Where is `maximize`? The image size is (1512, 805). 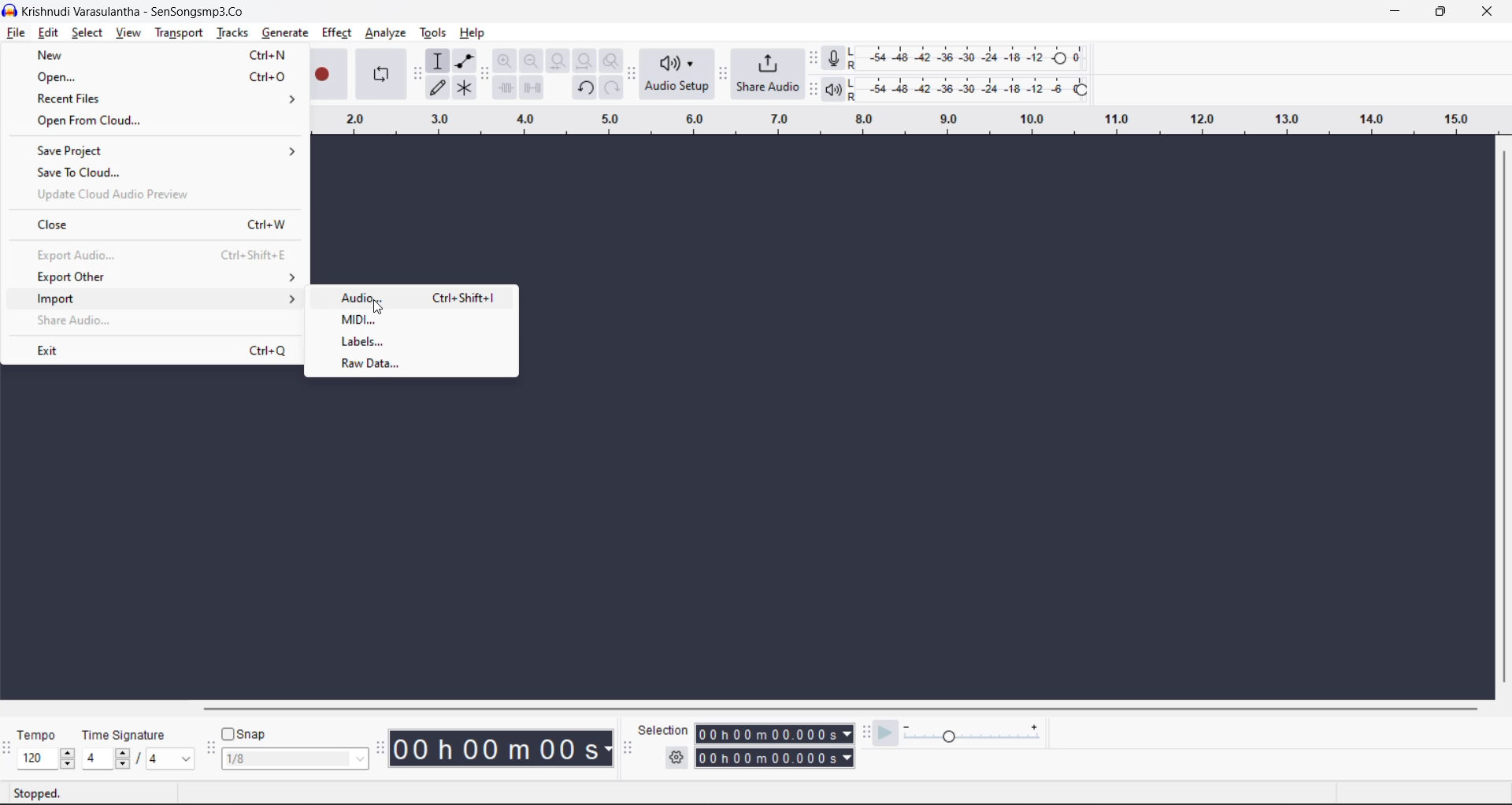 maximize is located at coordinates (1436, 12).